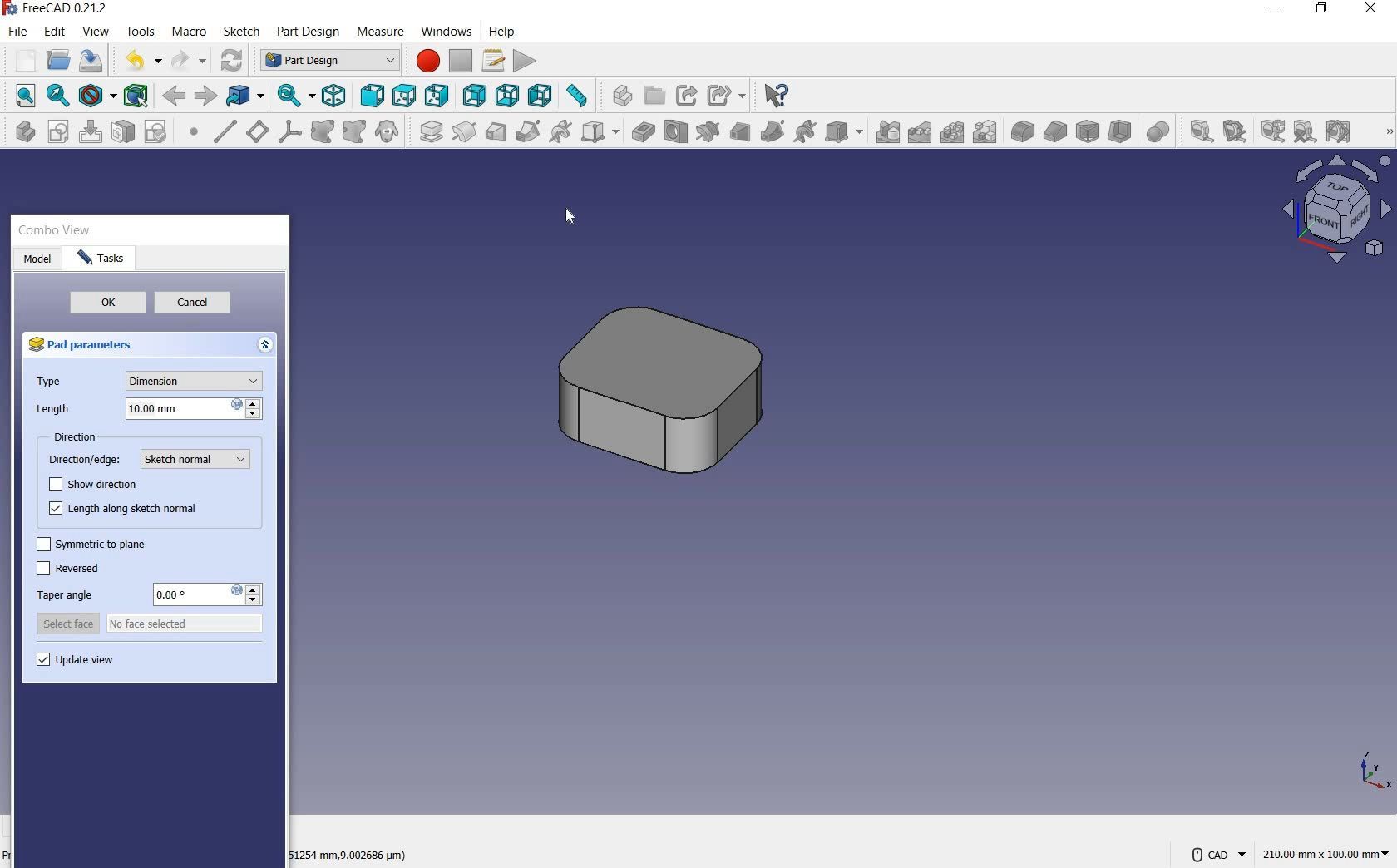 Image resolution: width=1397 pixels, height=868 pixels. Describe the element at coordinates (1325, 853) in the screenshot. I see `221.93mm x 100.00mm` at that location.